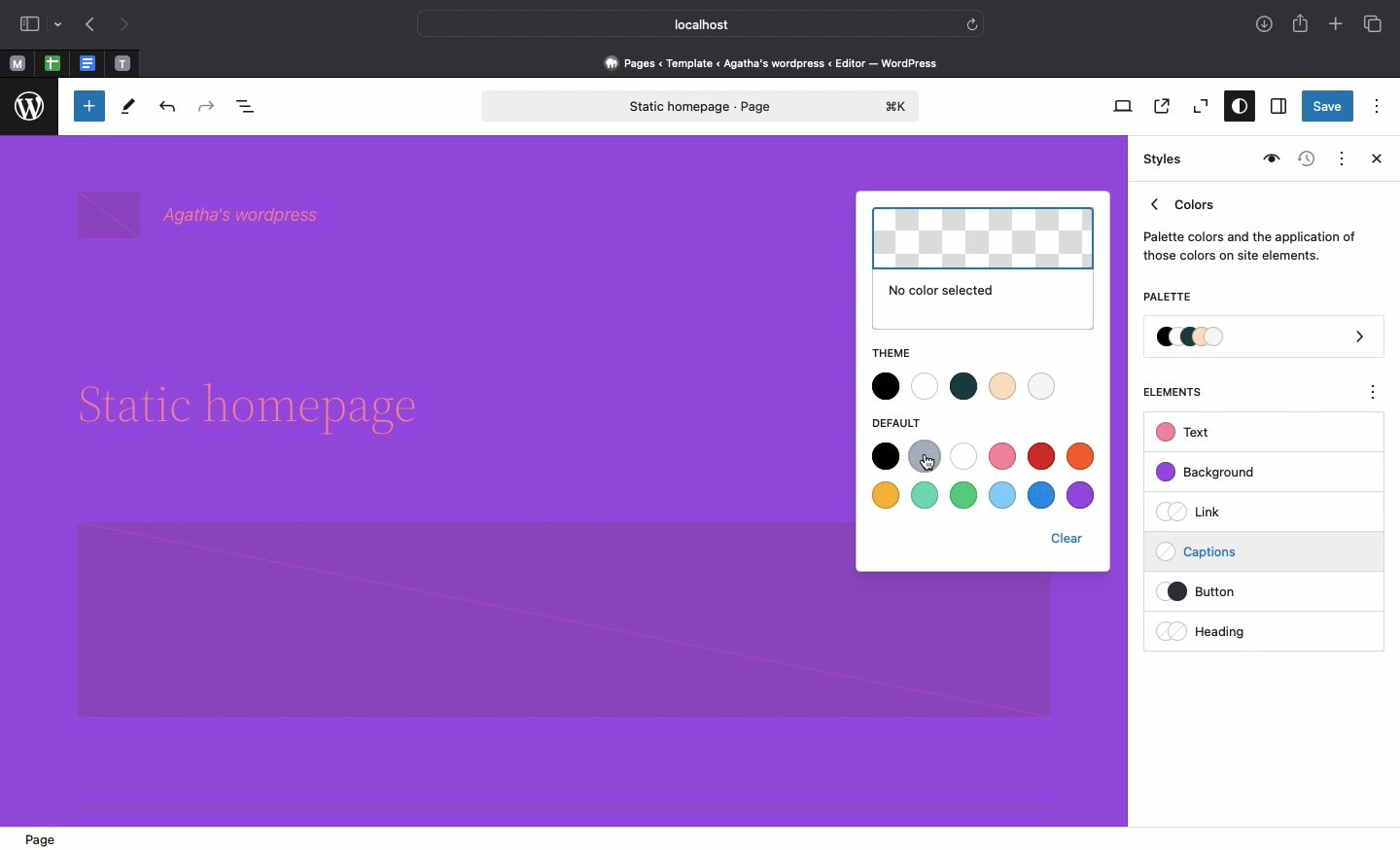 The image size is (1400, 850). Describe the element at coordinates (1277, 107) in the screenshot. I see `Settings` at that location.